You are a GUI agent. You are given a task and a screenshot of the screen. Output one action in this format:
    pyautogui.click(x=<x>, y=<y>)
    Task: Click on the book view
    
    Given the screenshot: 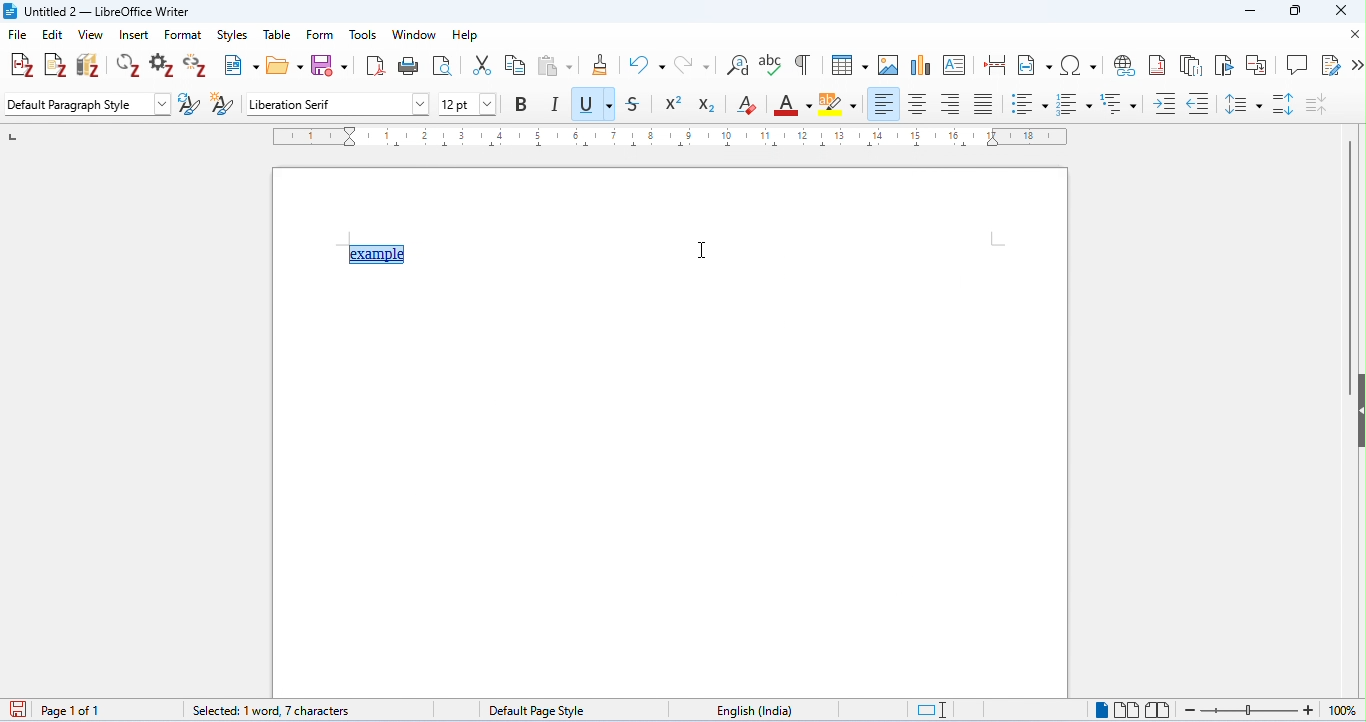 What is the action you would take?
    pyautogui.click(x=1159, y=710)
    